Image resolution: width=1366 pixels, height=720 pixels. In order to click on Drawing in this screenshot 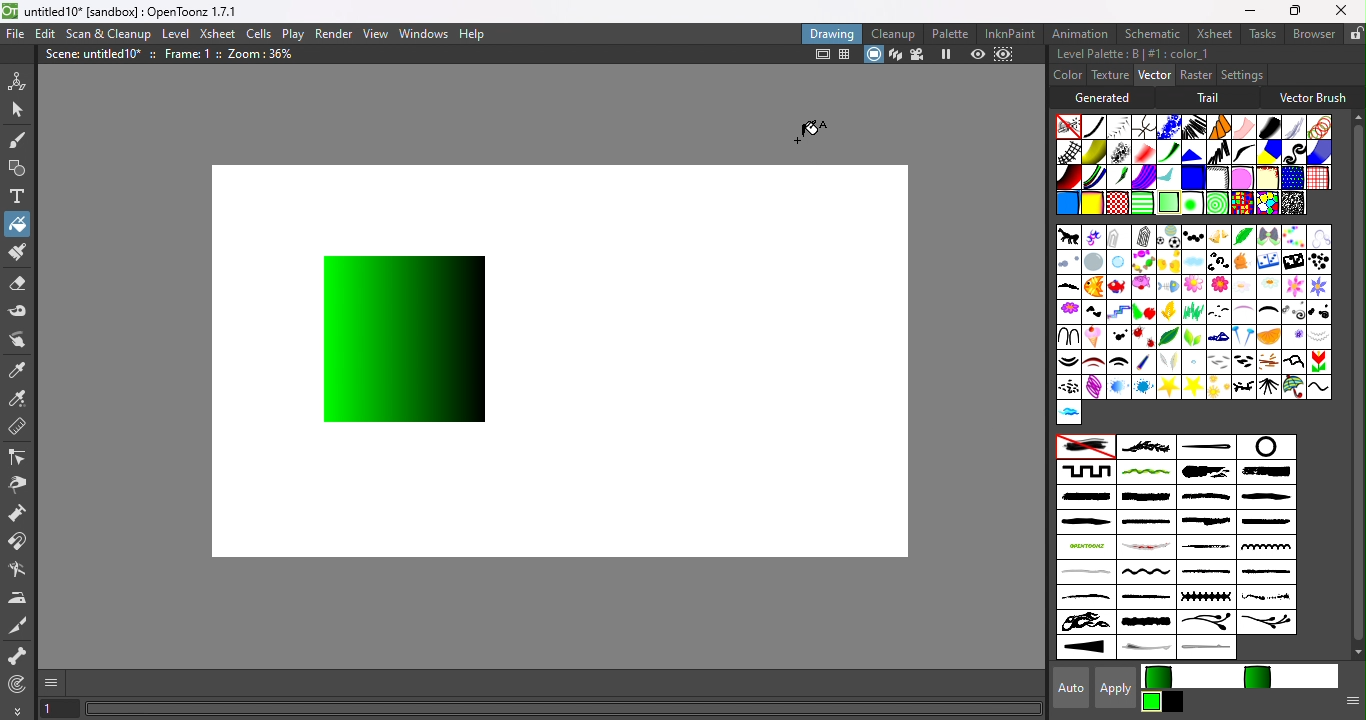, I will do `click(832, 33)`.